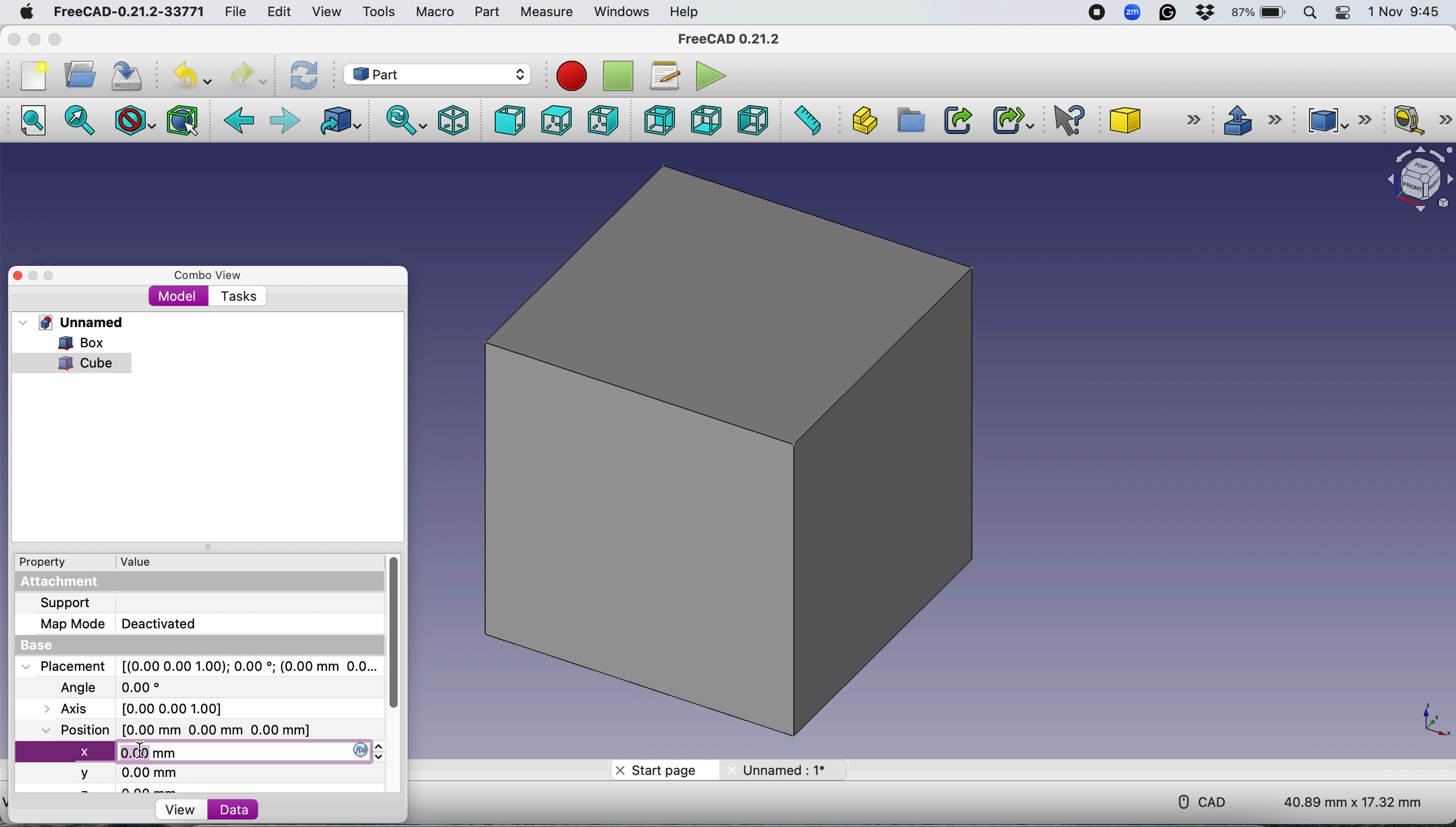 Image resolution: width=1456 pixels, height=827 pixels. What do you see at coordinates (260, 811) in the screenshot?
I see `Data` at bounding box center [260, 811].